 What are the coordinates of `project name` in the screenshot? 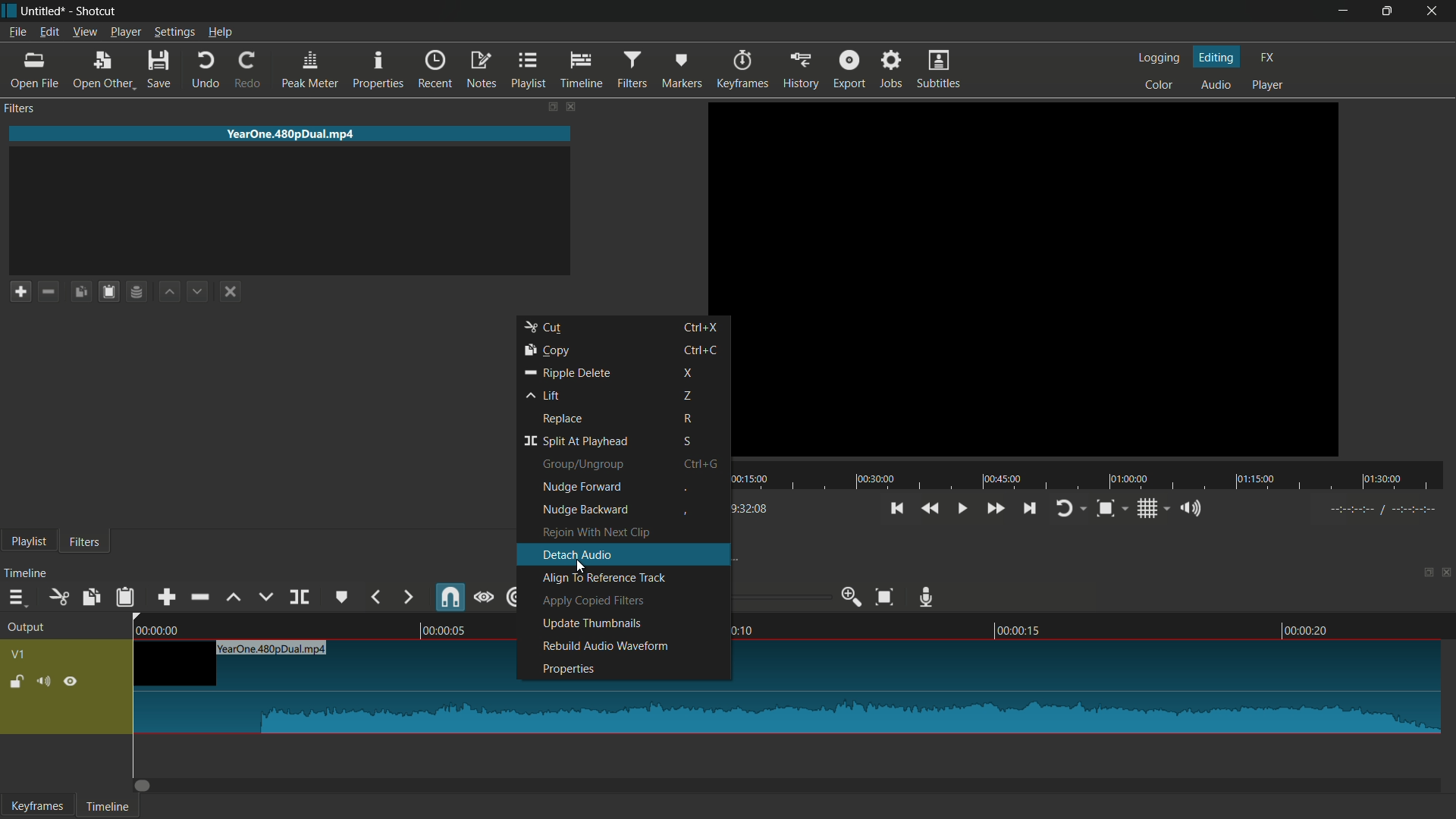 It's located at (44, 11).